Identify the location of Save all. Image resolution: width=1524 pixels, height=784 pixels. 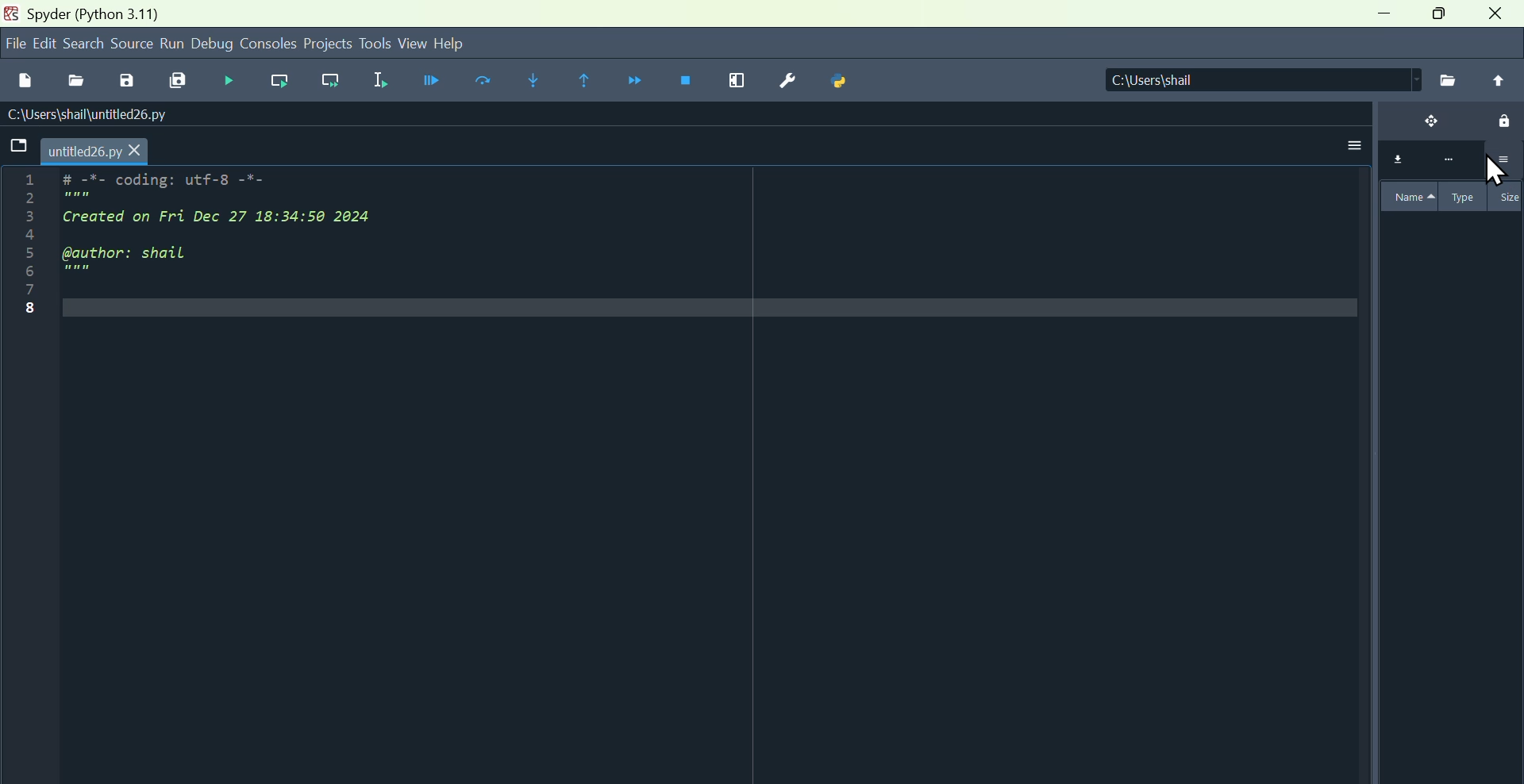
(179, 81).